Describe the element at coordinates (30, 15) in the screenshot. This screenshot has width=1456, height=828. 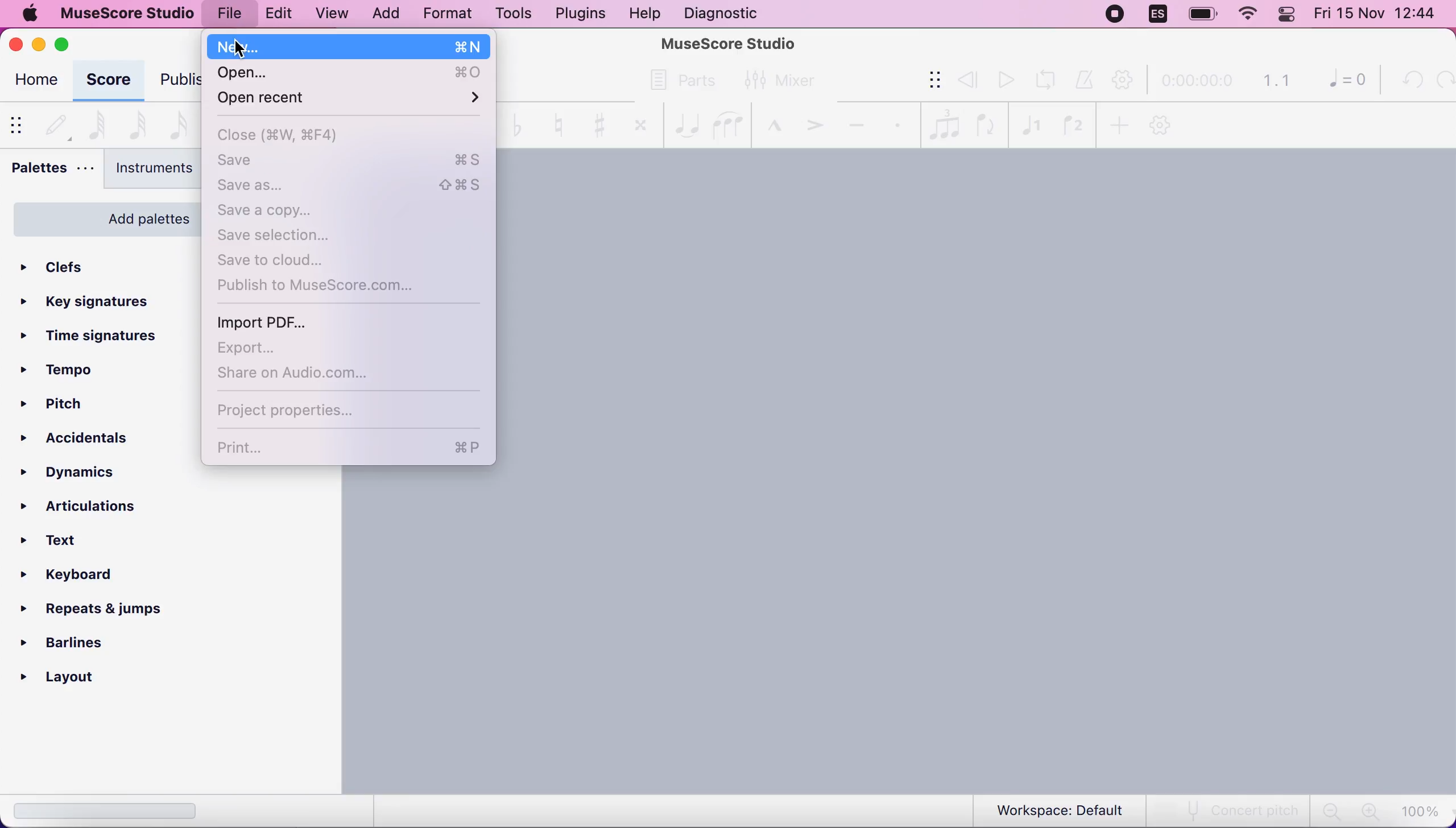
I see `mac logo` at that location.